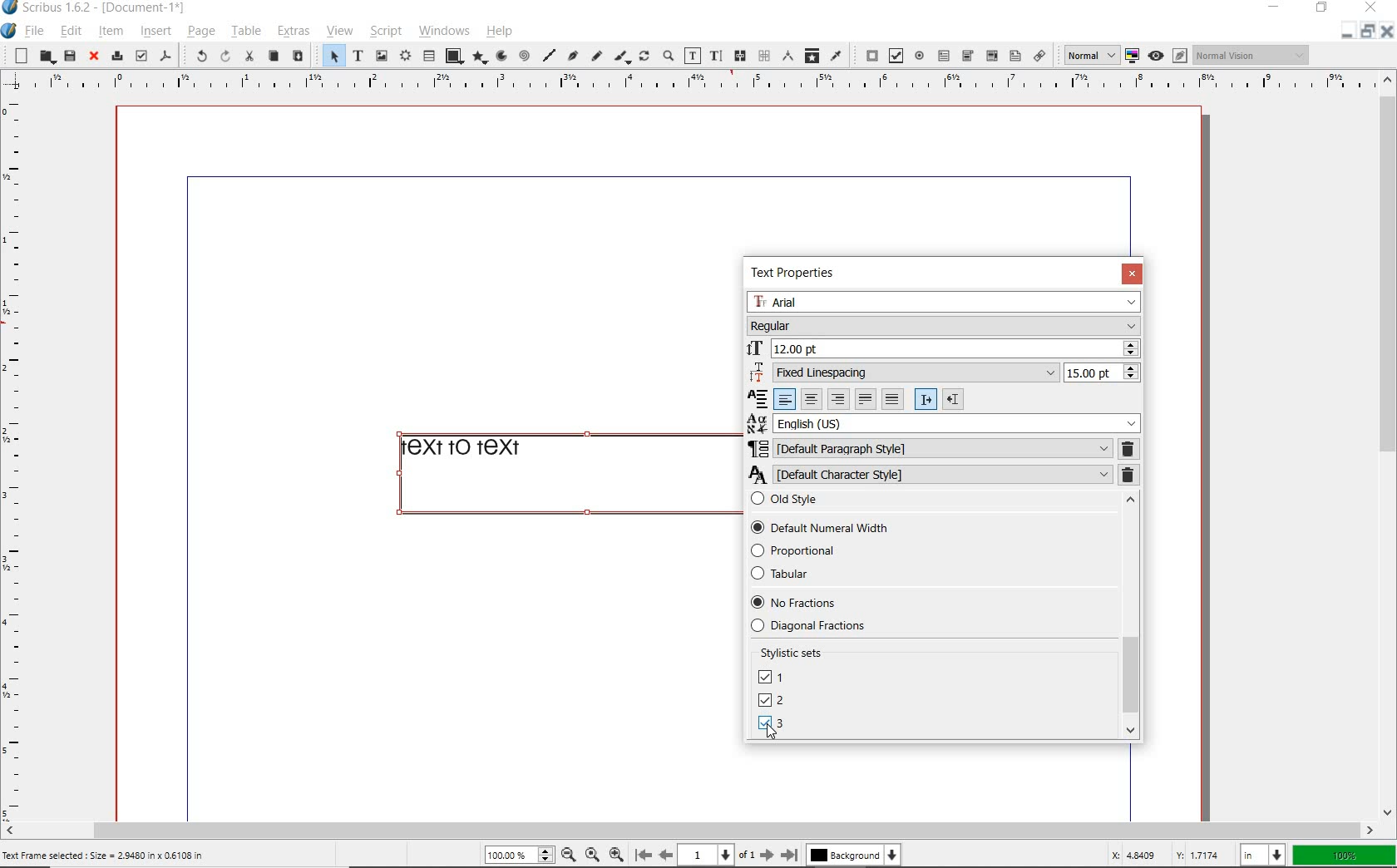 Image resolution: width=1397 pixels, height=868 pixels. What do you see at coordinates (1200, 855) in the screenshot?
I see `Y: 1.7174` at bounding box center [1200, 855].